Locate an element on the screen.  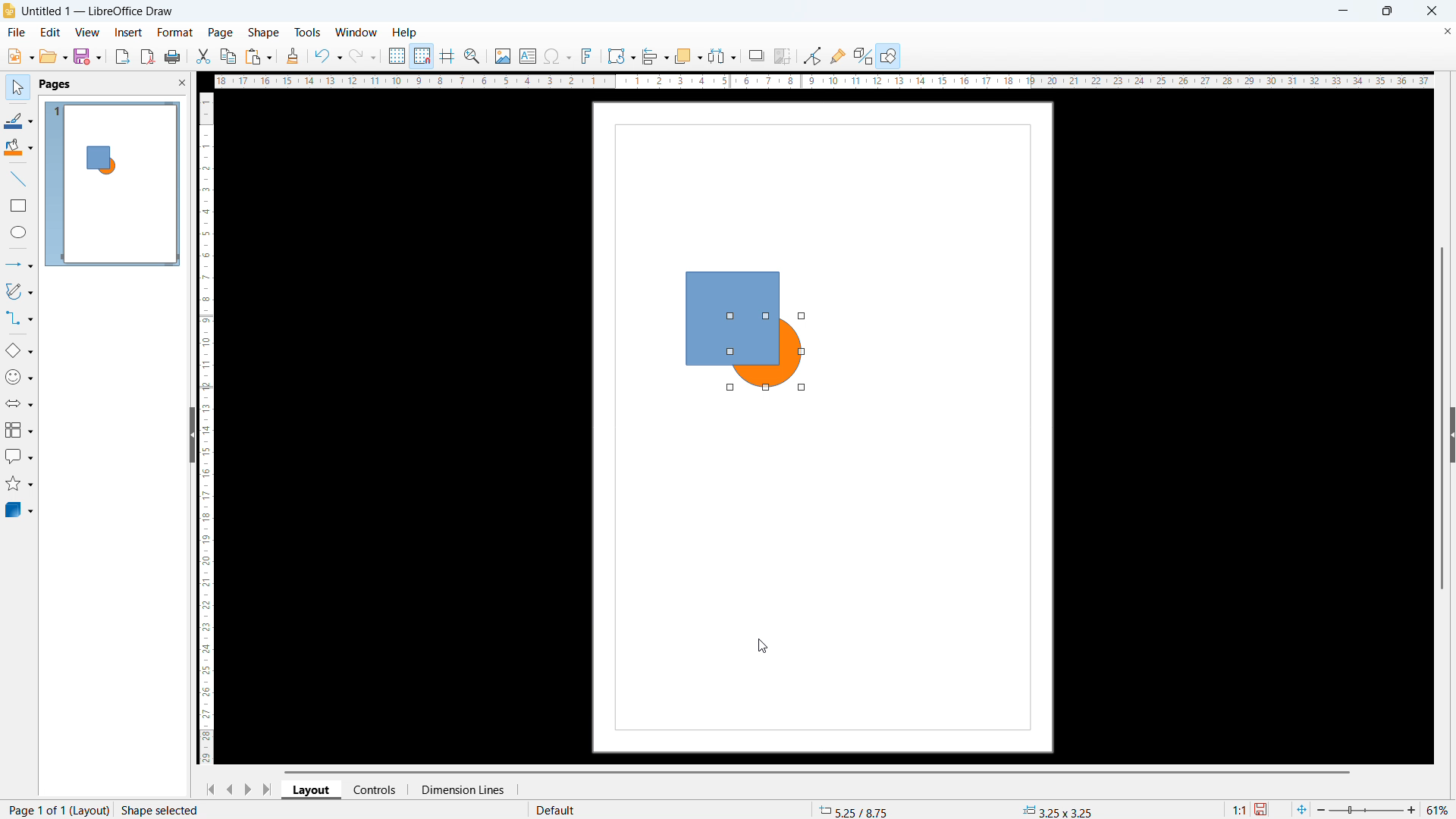
select  is located at coordinates (19, 87).